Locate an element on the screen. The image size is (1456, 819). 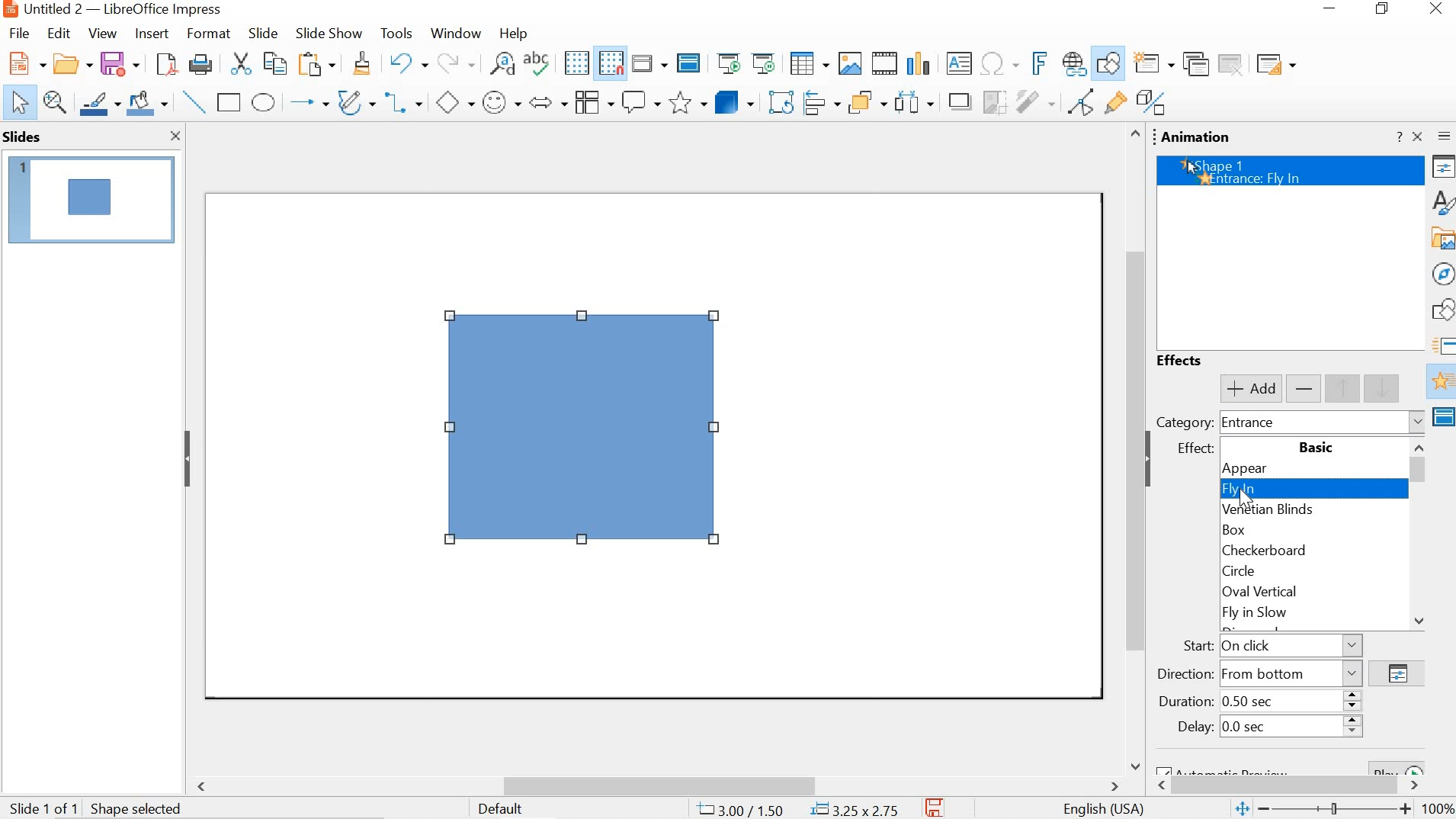
duplicate slide is located at coordinates (1195, 65).